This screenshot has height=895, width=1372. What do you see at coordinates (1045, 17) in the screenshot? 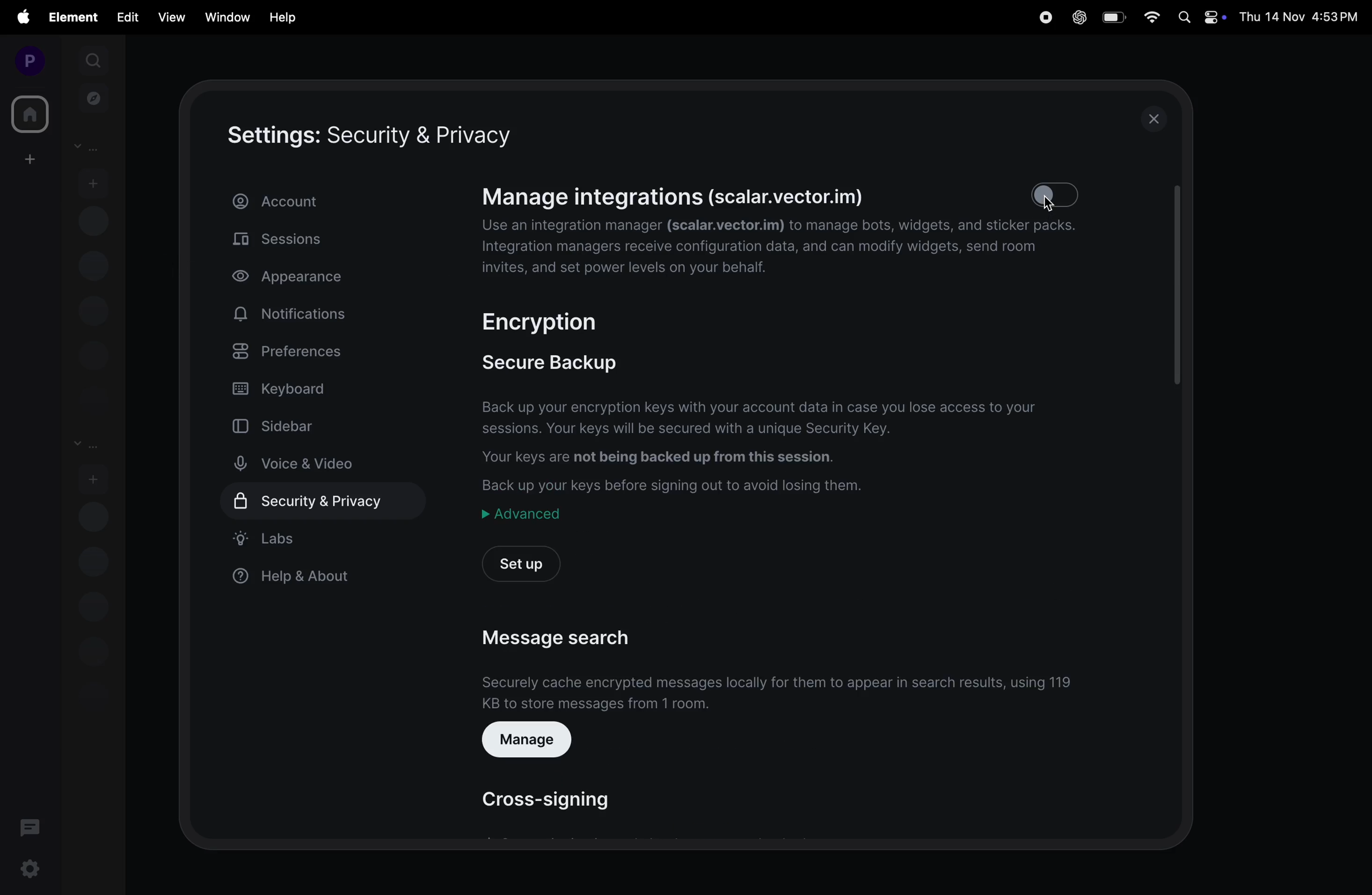
I see `record` at bounding box center [1045, 17].